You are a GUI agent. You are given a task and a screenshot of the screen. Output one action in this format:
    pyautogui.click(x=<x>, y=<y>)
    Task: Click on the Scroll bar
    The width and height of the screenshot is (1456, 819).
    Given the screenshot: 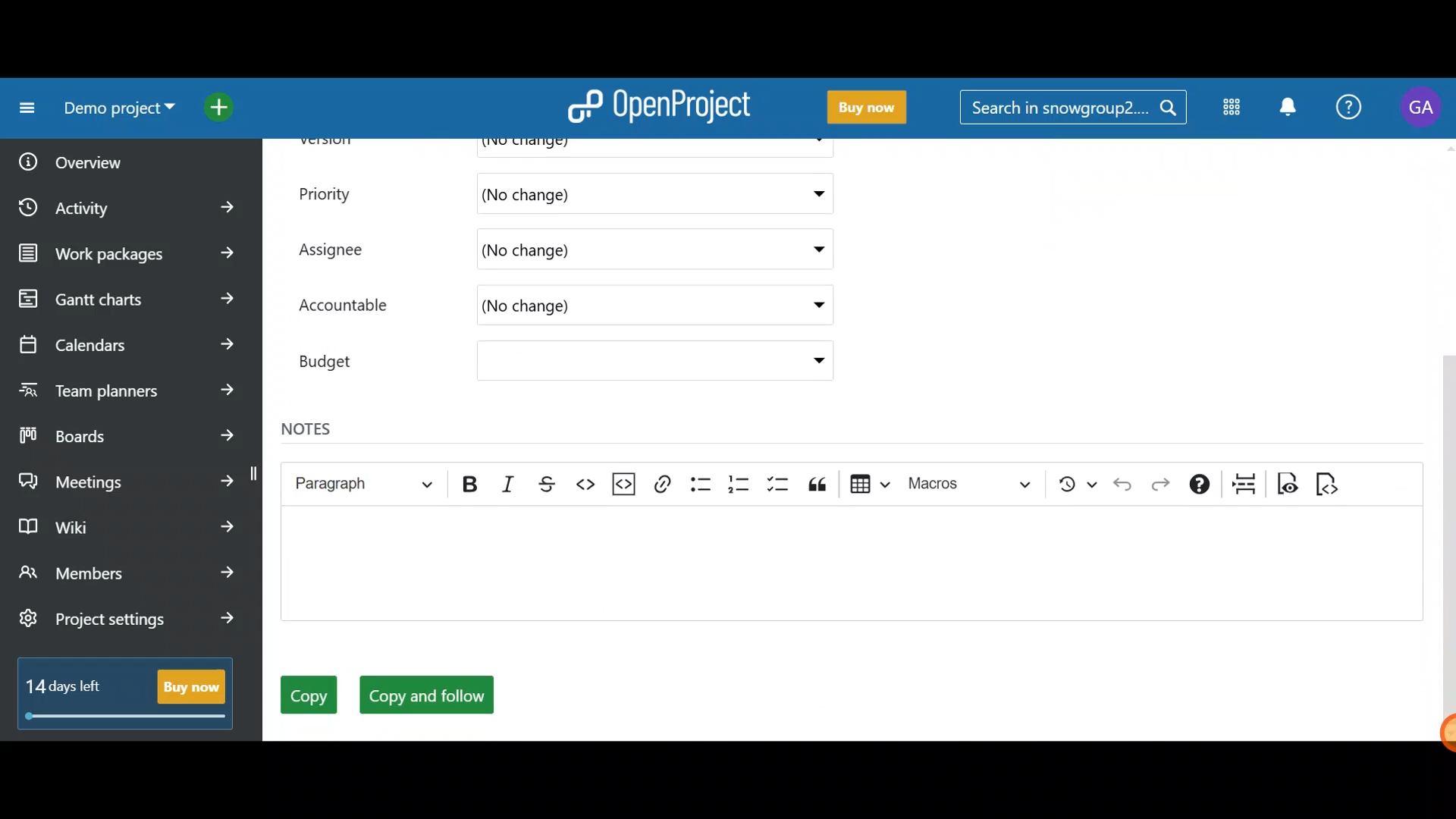 What is the action you would take?
    pyautogui.click(x=1447, y=438)
    